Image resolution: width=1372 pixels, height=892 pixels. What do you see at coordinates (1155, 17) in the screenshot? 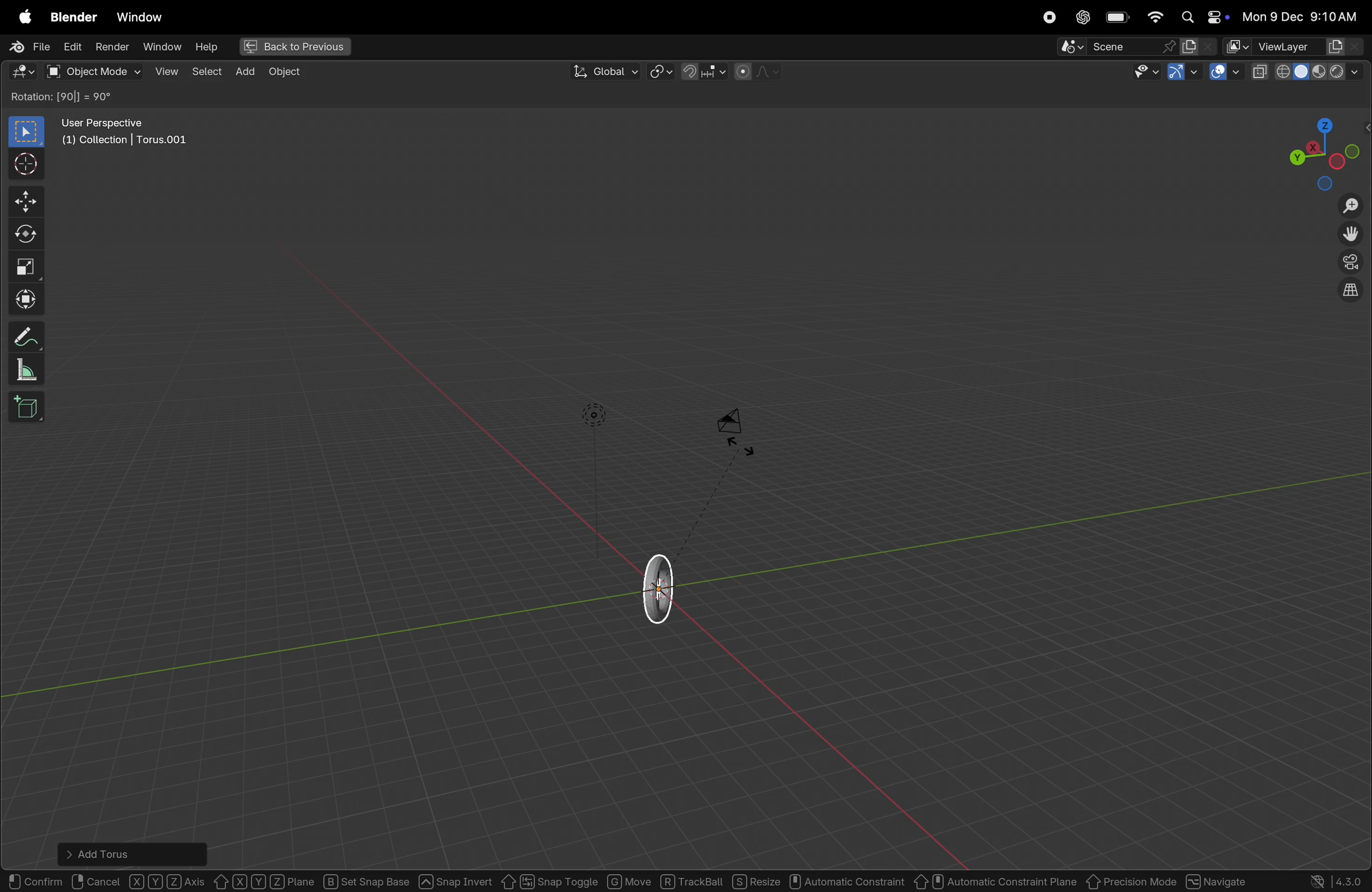
I see `wifi` at bounding box center [1155, 17].